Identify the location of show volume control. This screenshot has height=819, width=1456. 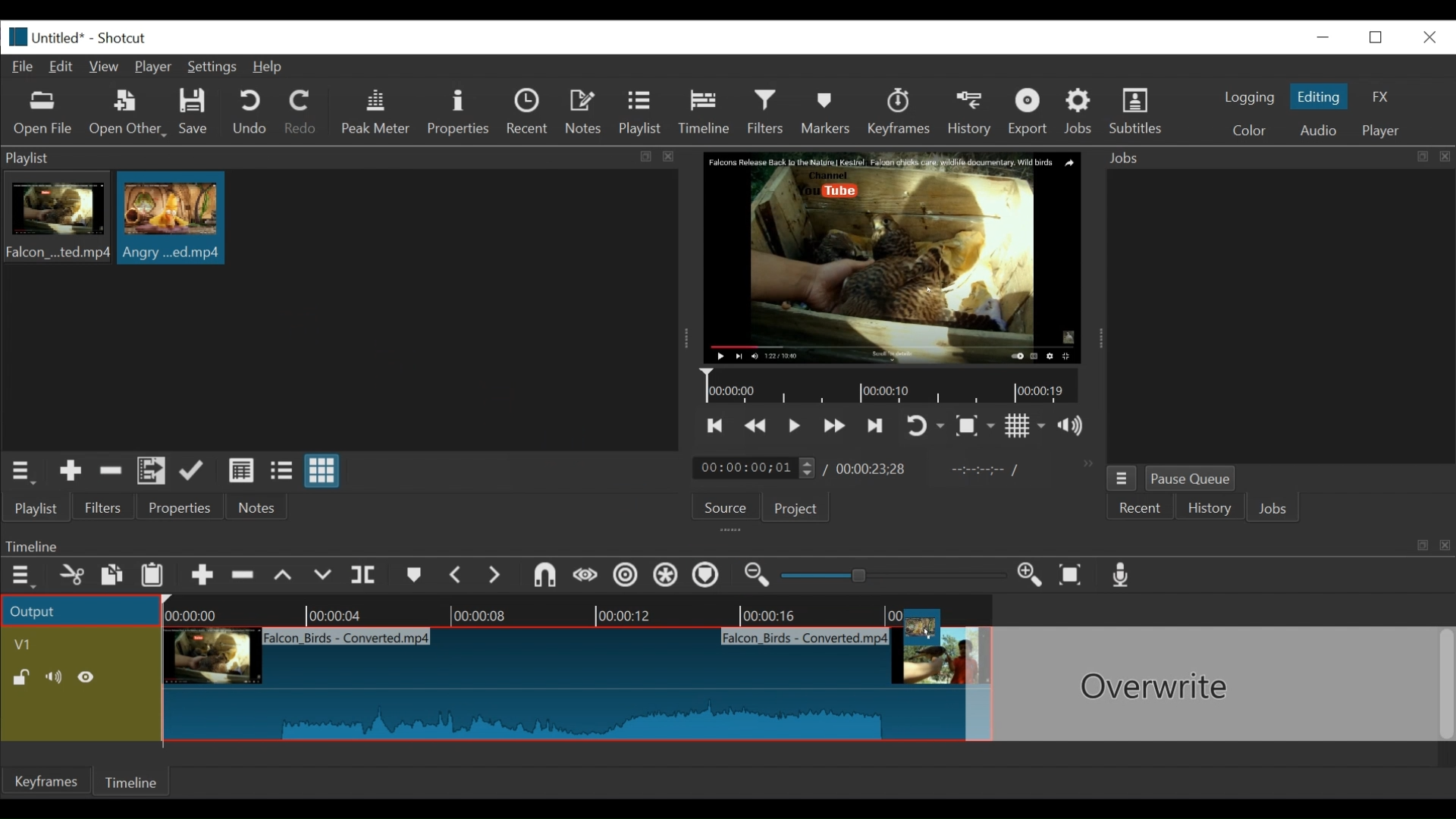
(1077, 427).